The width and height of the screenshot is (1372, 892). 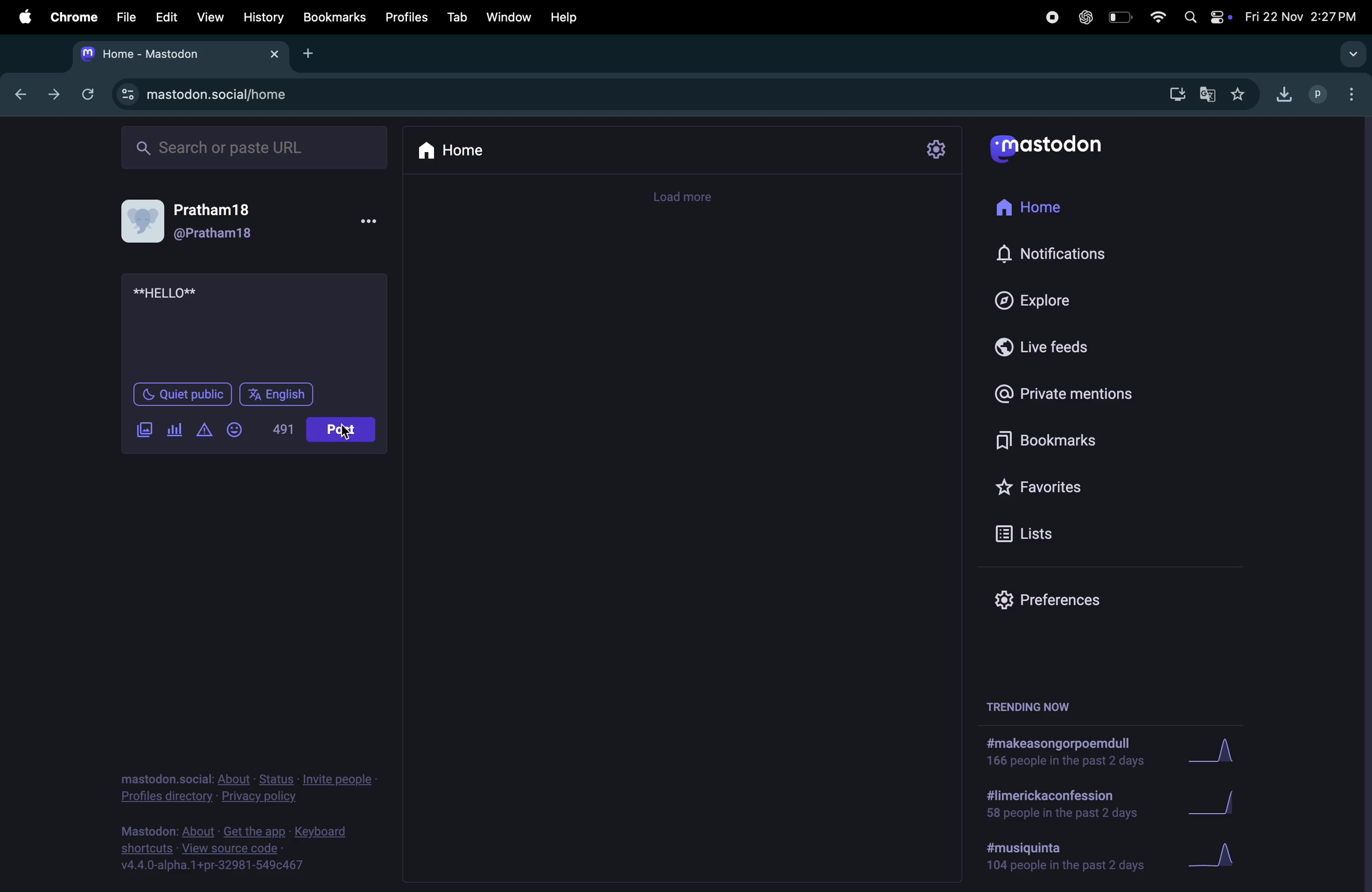 What do you see at coordinates (273, 53) in the screenshot?
I see `close` at bounding box center [273, 53].